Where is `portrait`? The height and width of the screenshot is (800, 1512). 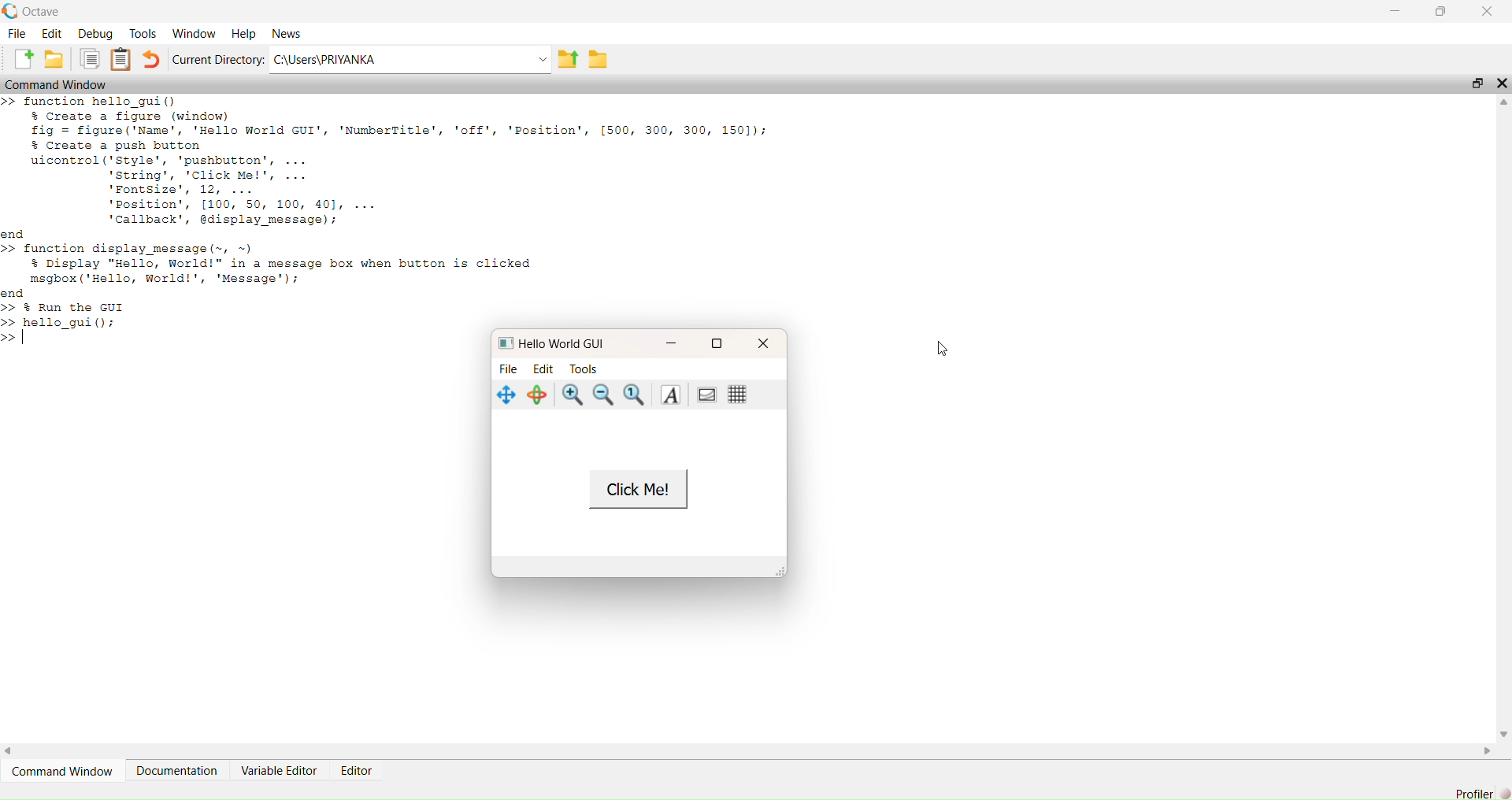 portrait is located at coordinates (706, 394).